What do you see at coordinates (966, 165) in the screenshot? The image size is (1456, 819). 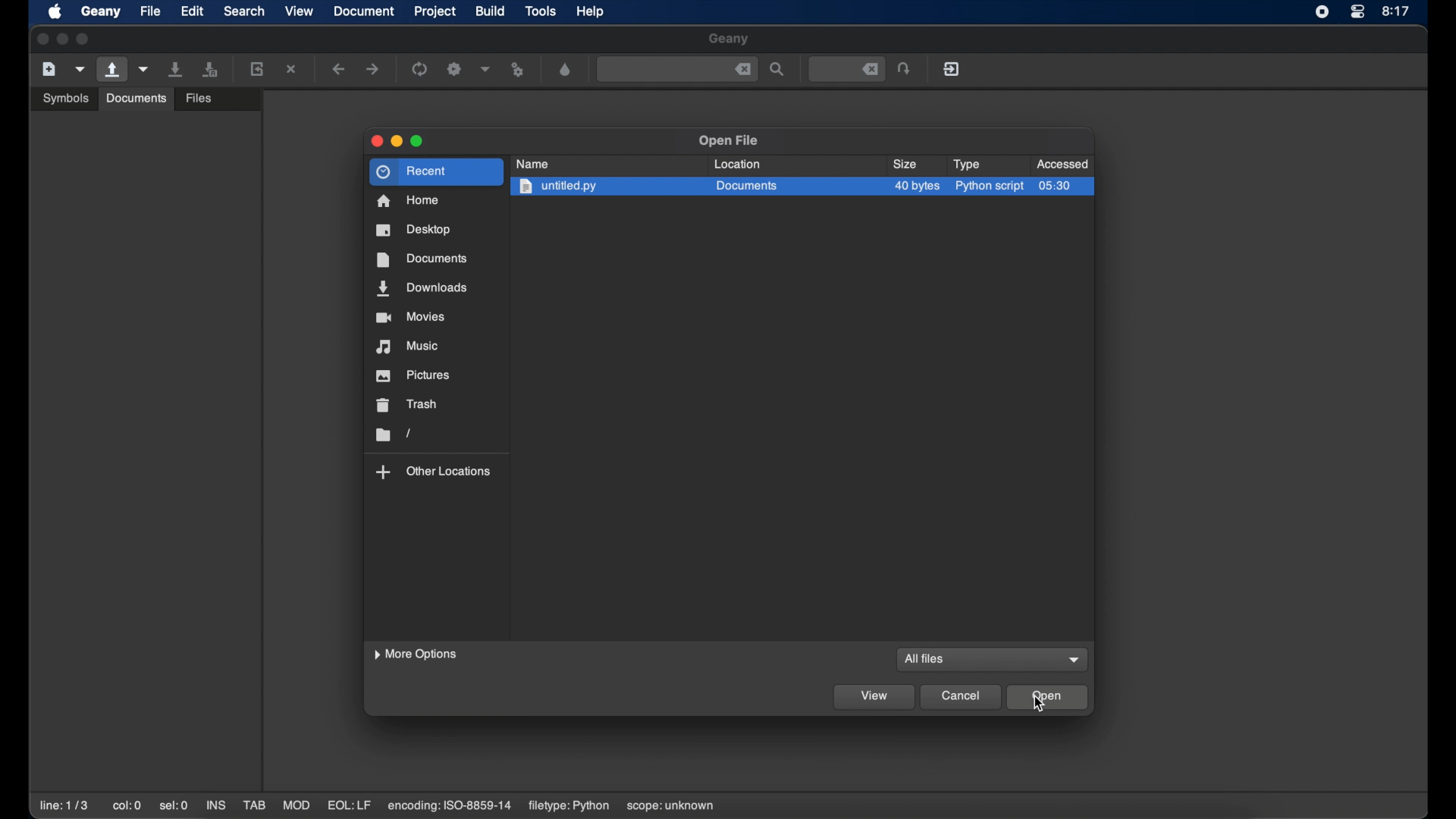 I see `type` at bounding box center [966, 165].